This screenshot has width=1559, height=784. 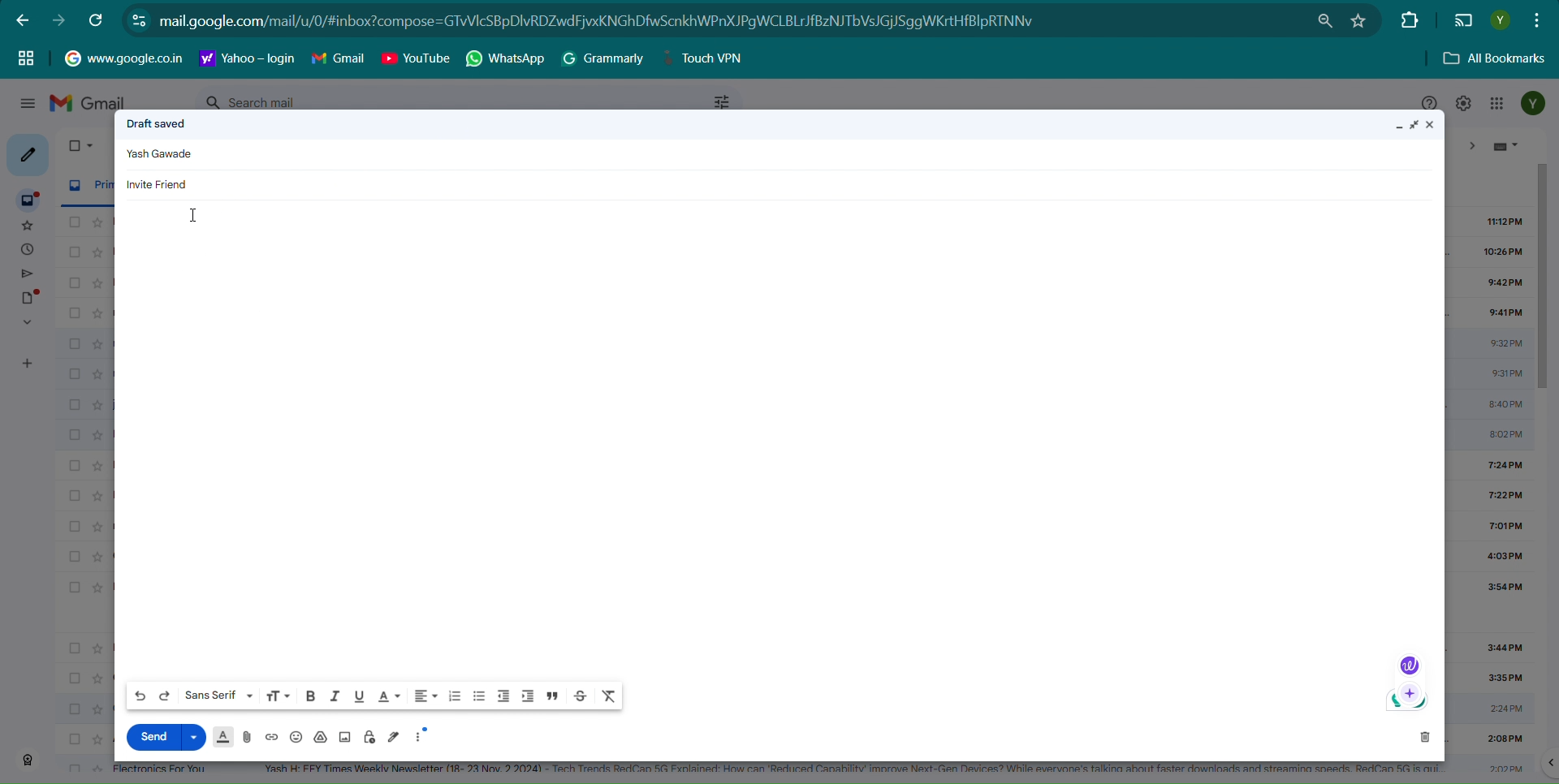 I want to click on Send, so click(x=151, y=736).